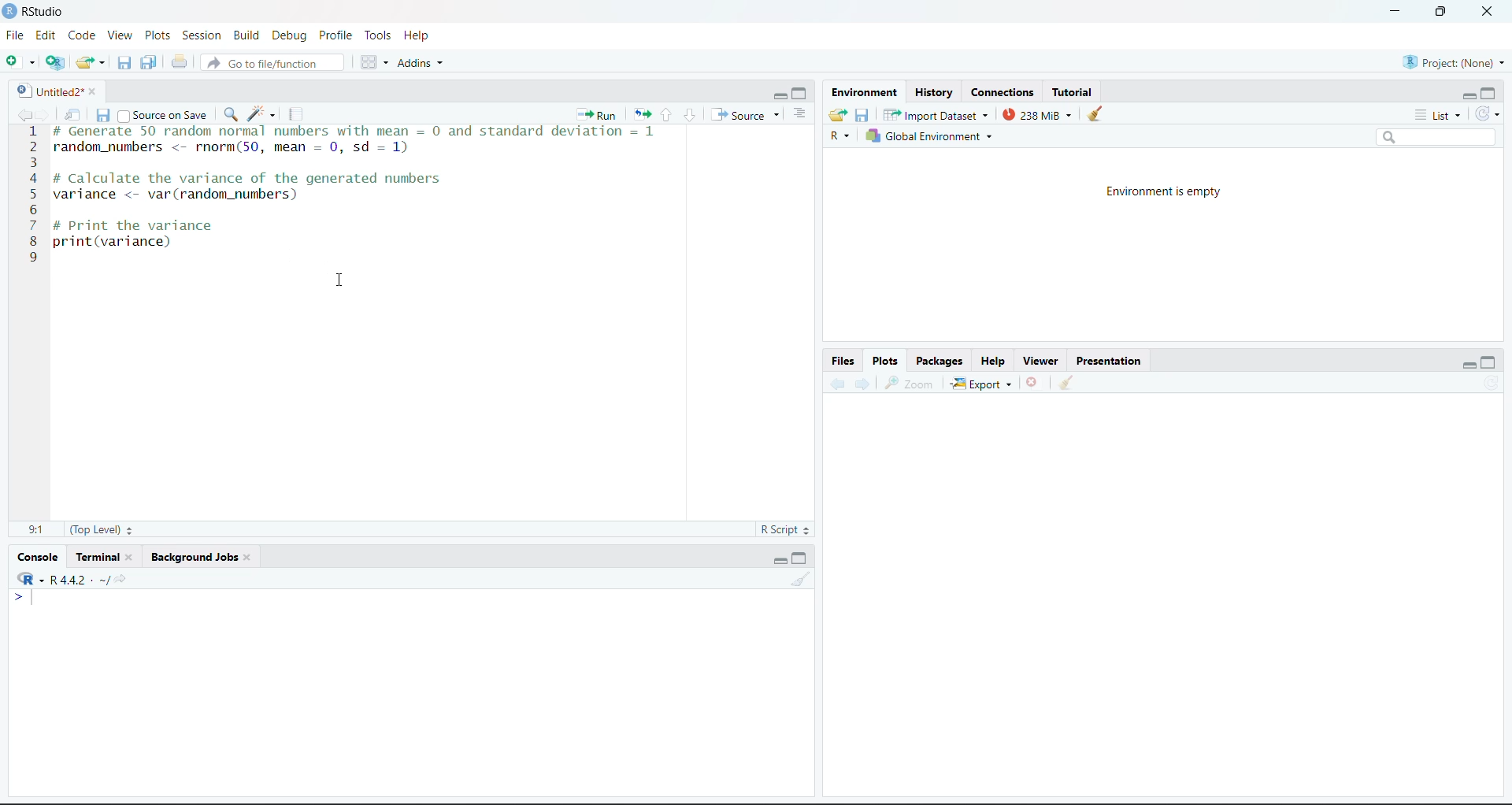  Describe the element at coordinates (271, 63) in the screenshot. I see `search file` at that location.